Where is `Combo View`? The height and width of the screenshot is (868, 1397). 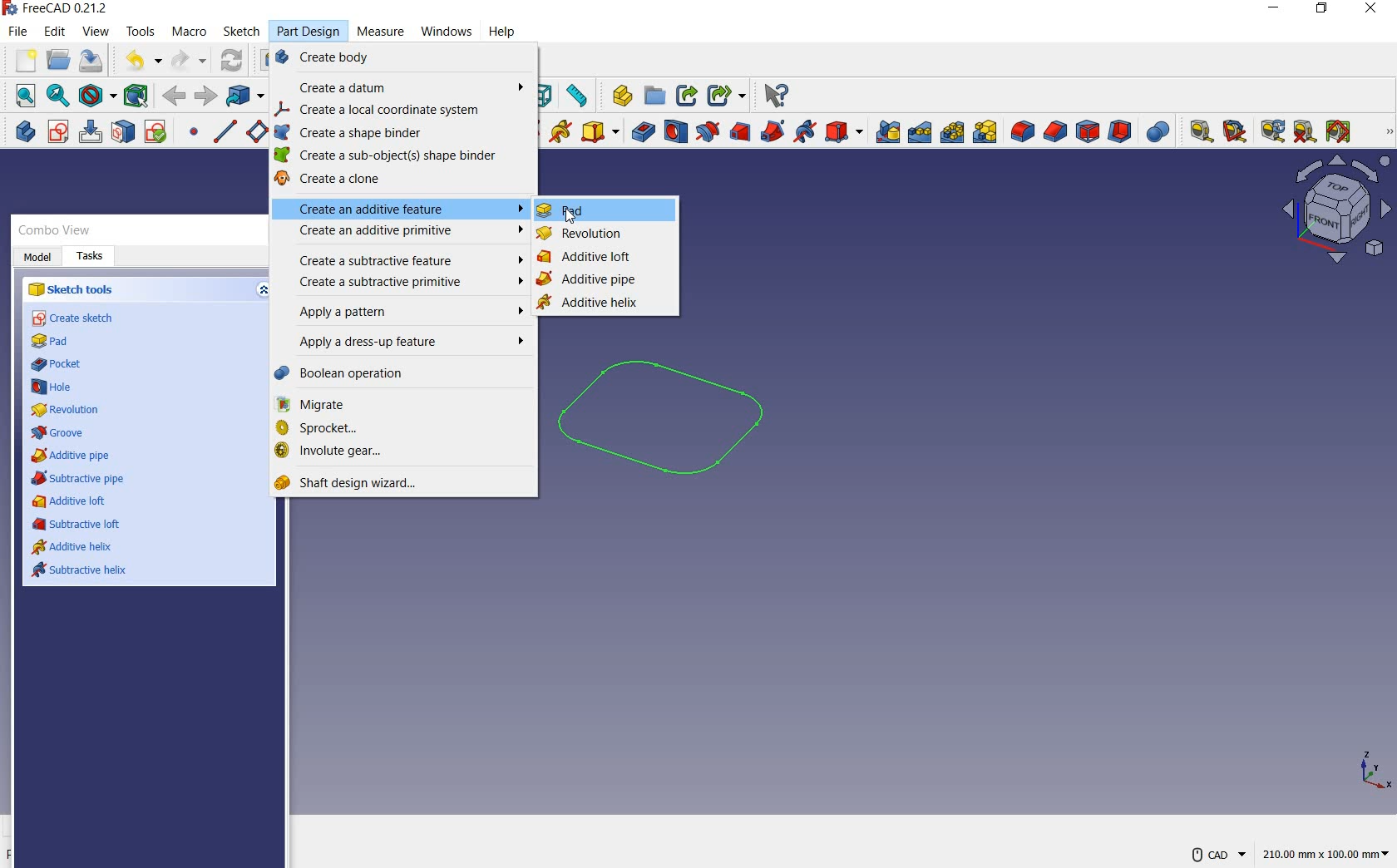 Combo View is located at coordinates (59, 229).